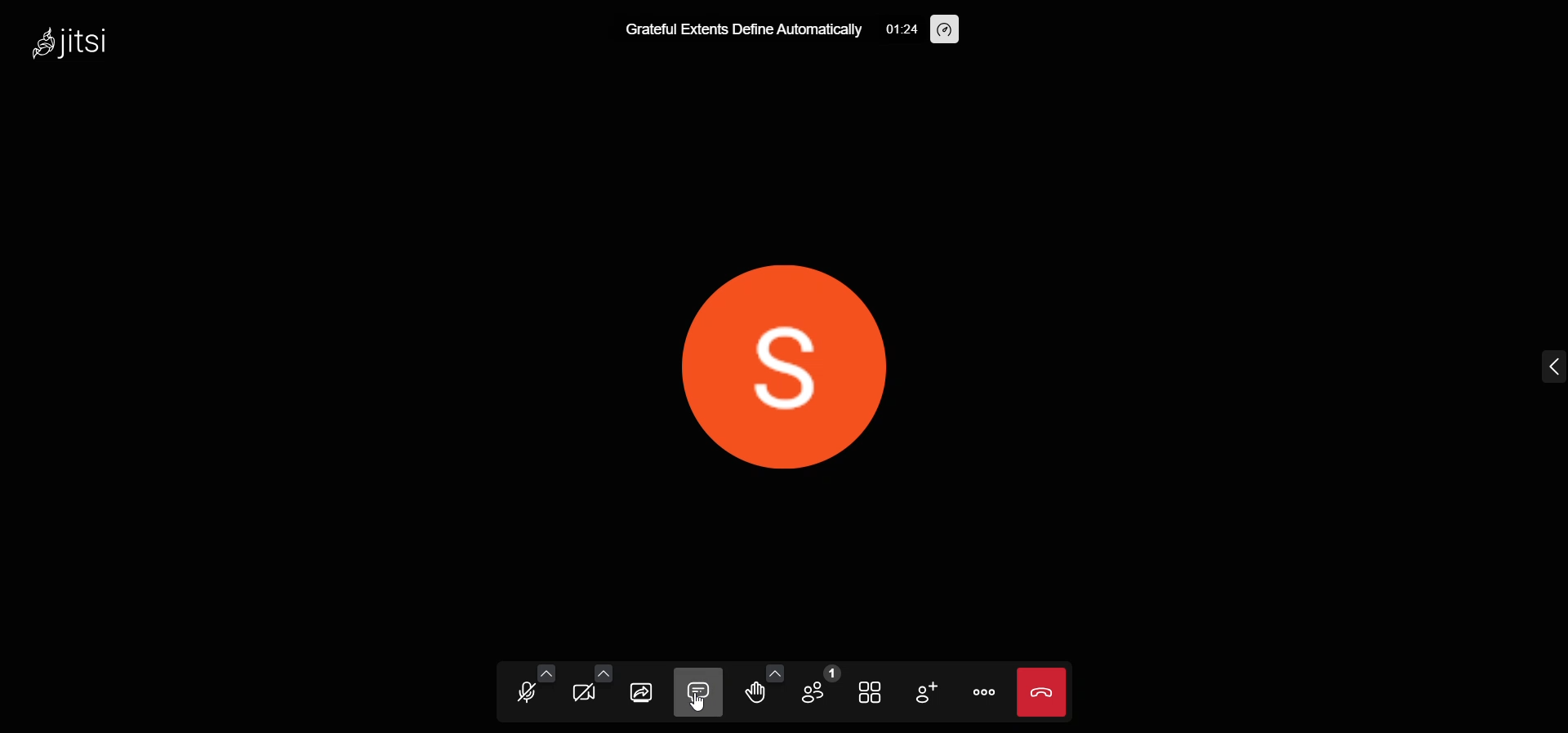  Describe the element at coordinates (701, 691) in the screenshot. I see `chat` at that location.